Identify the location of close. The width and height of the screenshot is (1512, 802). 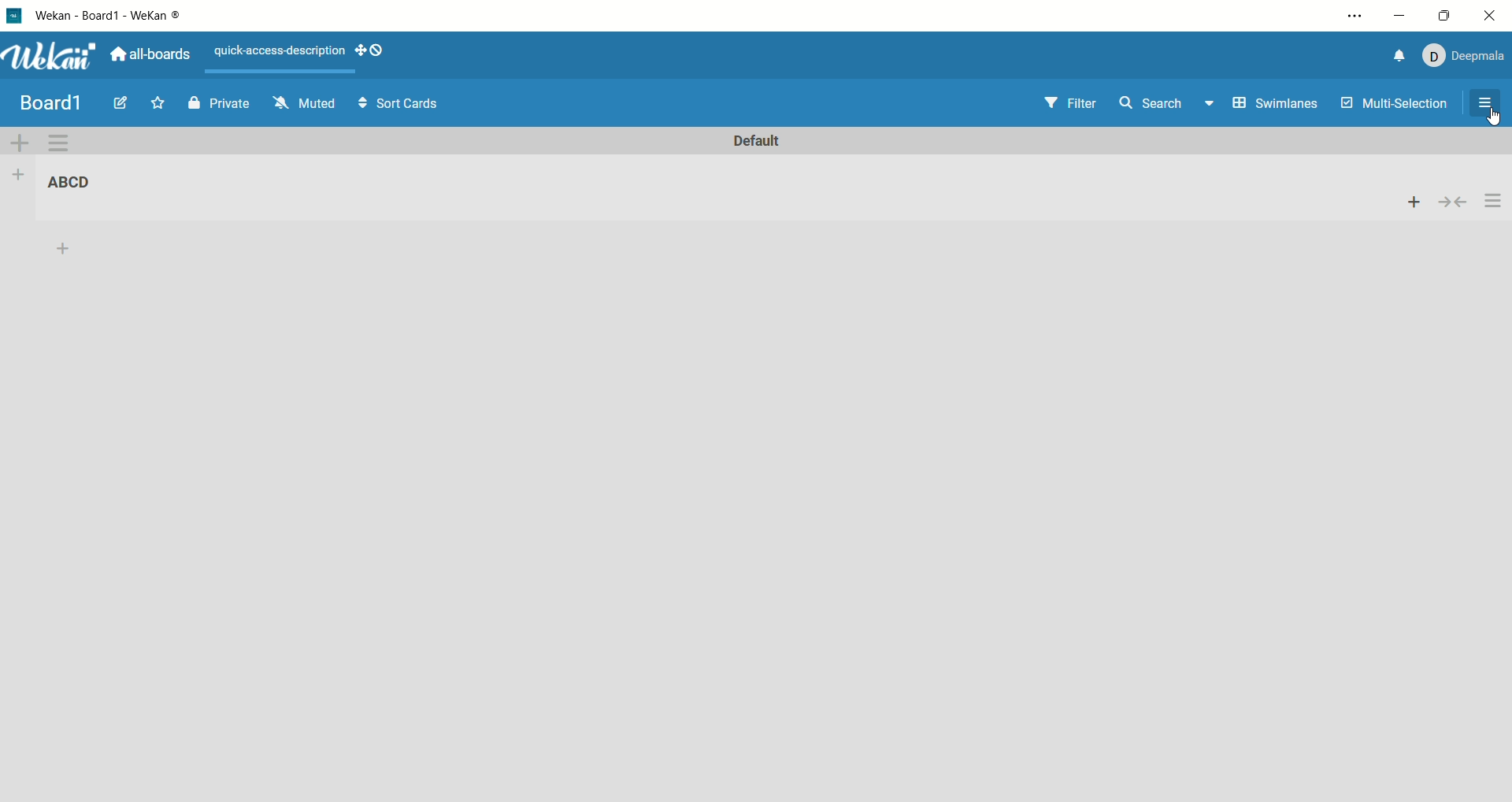
(1493, 16).